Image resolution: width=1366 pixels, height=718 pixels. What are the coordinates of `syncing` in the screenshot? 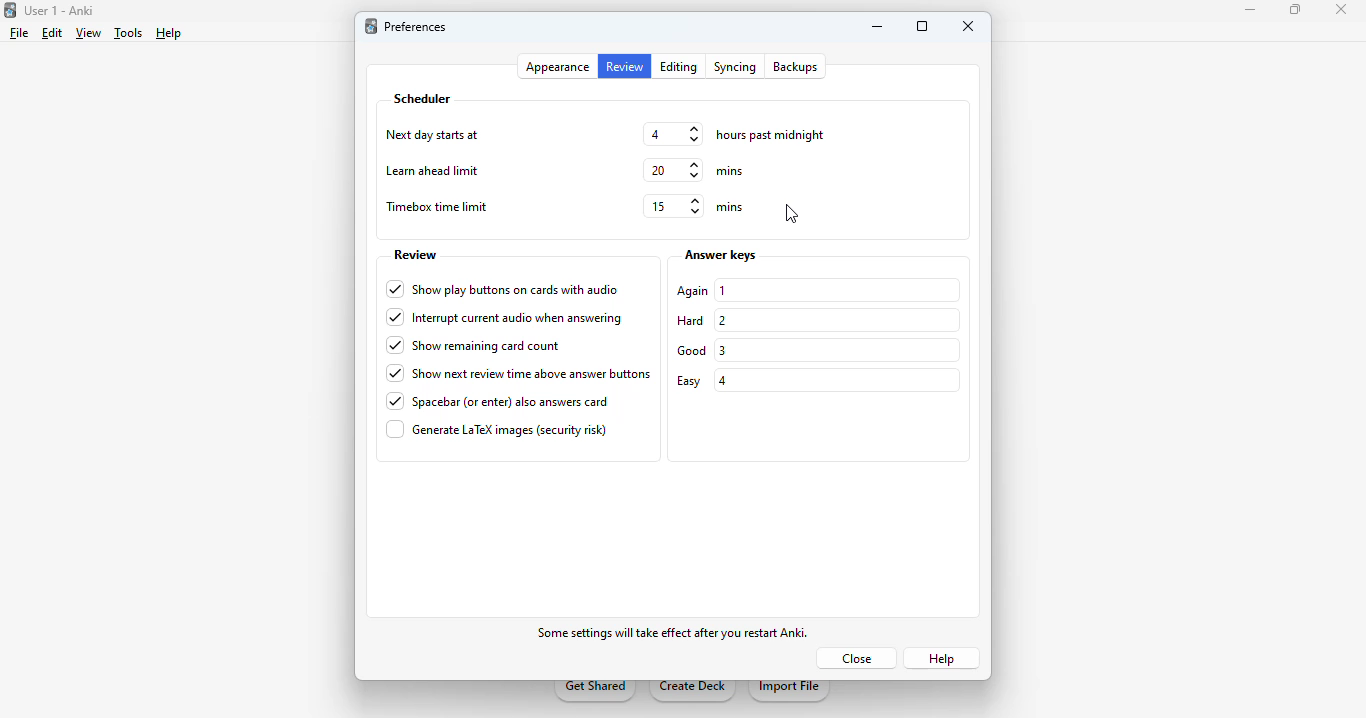 It's located at (733, 66).